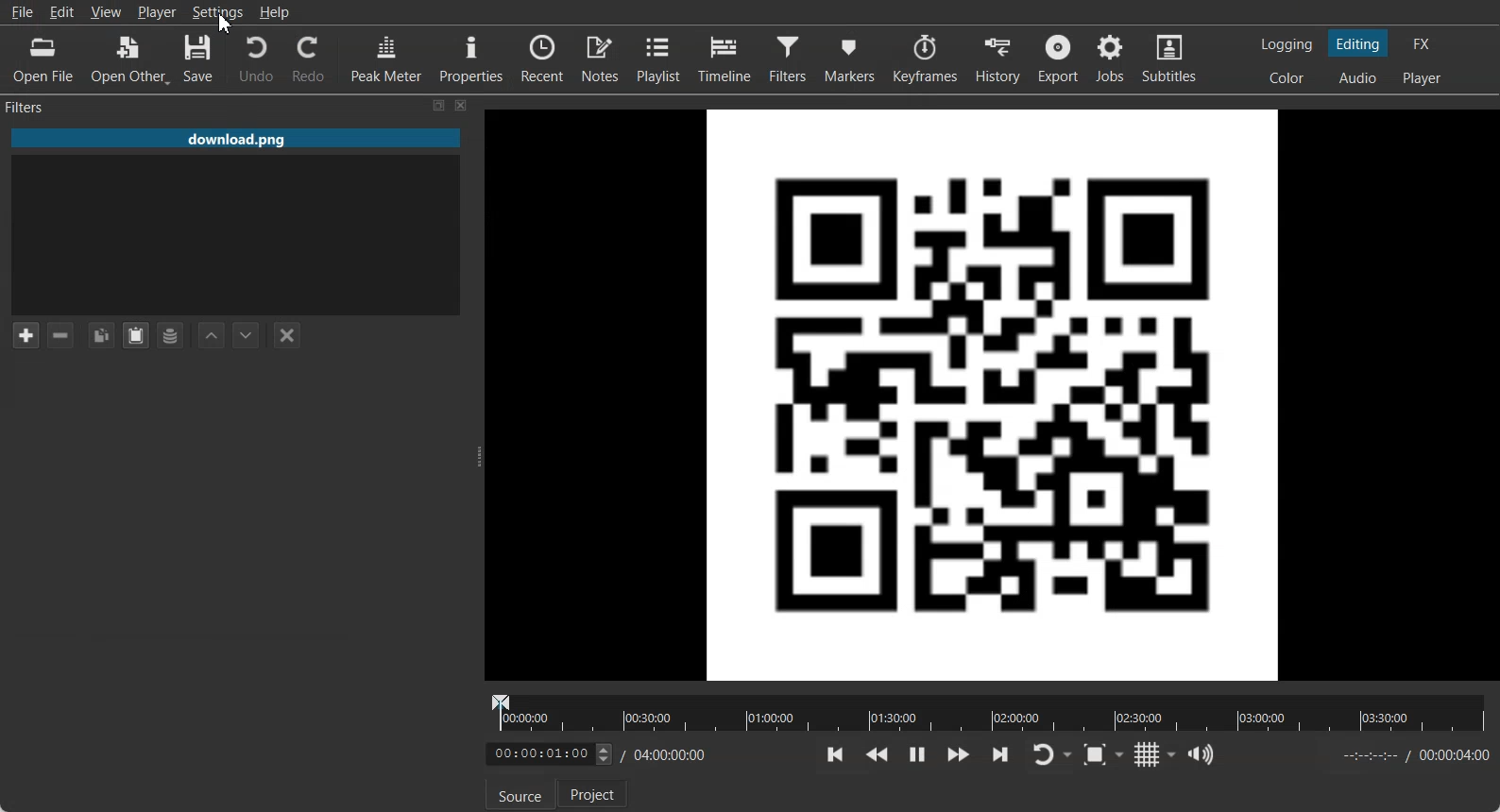 The width and height of the screenshot is (1500, 812). I want to click on Source, so click(520, 794).